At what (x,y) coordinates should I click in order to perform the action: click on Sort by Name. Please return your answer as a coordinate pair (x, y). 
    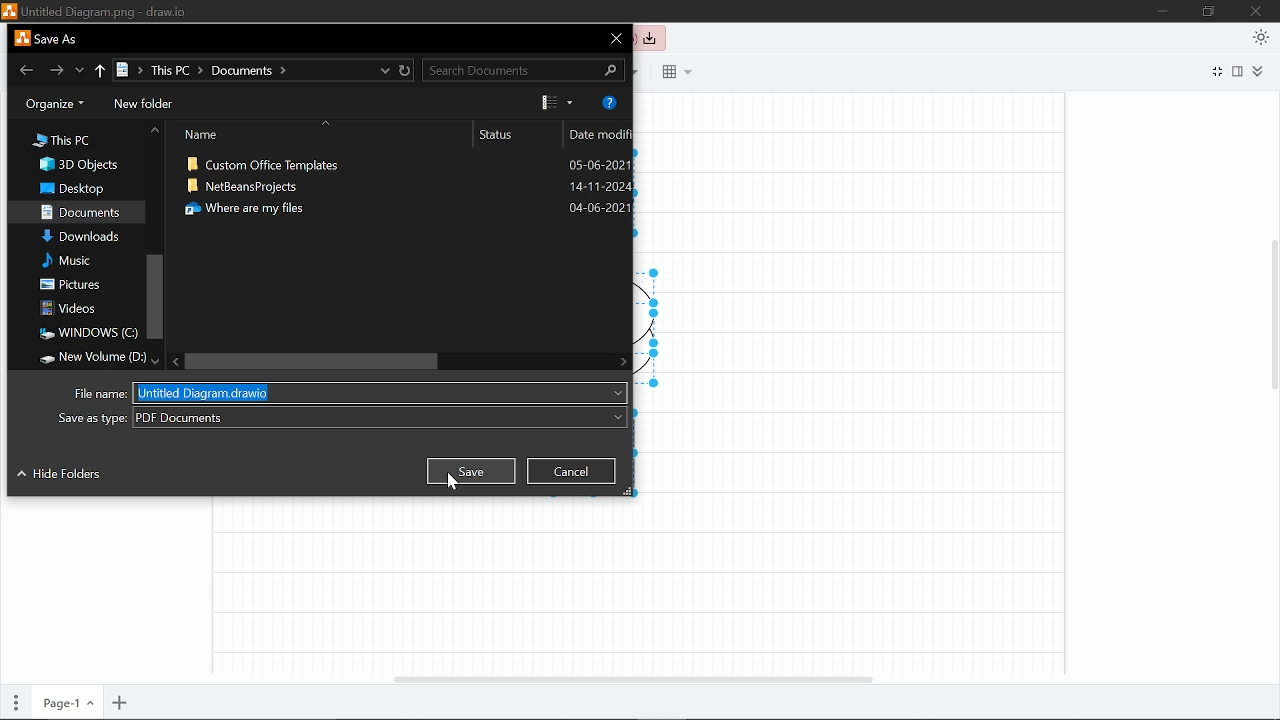
    Looking at the image, I should click on (307, 134).